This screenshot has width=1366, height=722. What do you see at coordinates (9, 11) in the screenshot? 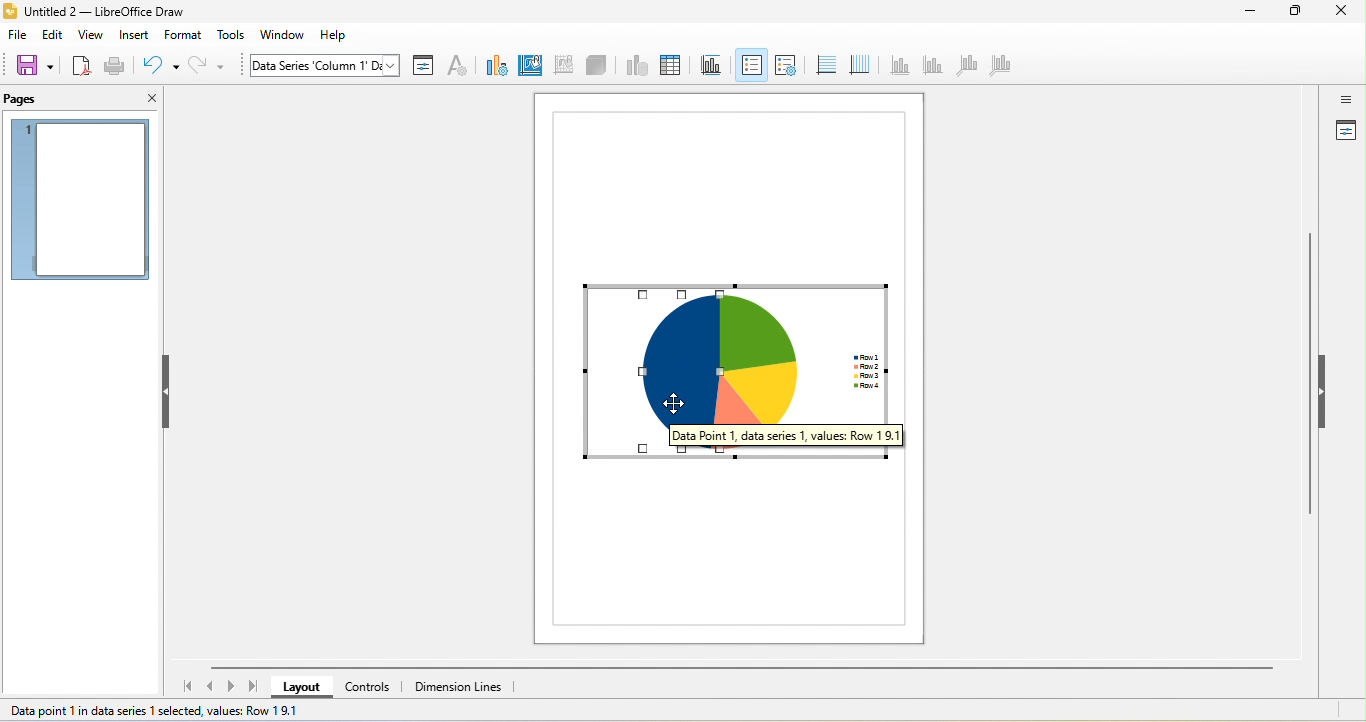
I see `libre office draw logo` at bounding box center [9, 11].